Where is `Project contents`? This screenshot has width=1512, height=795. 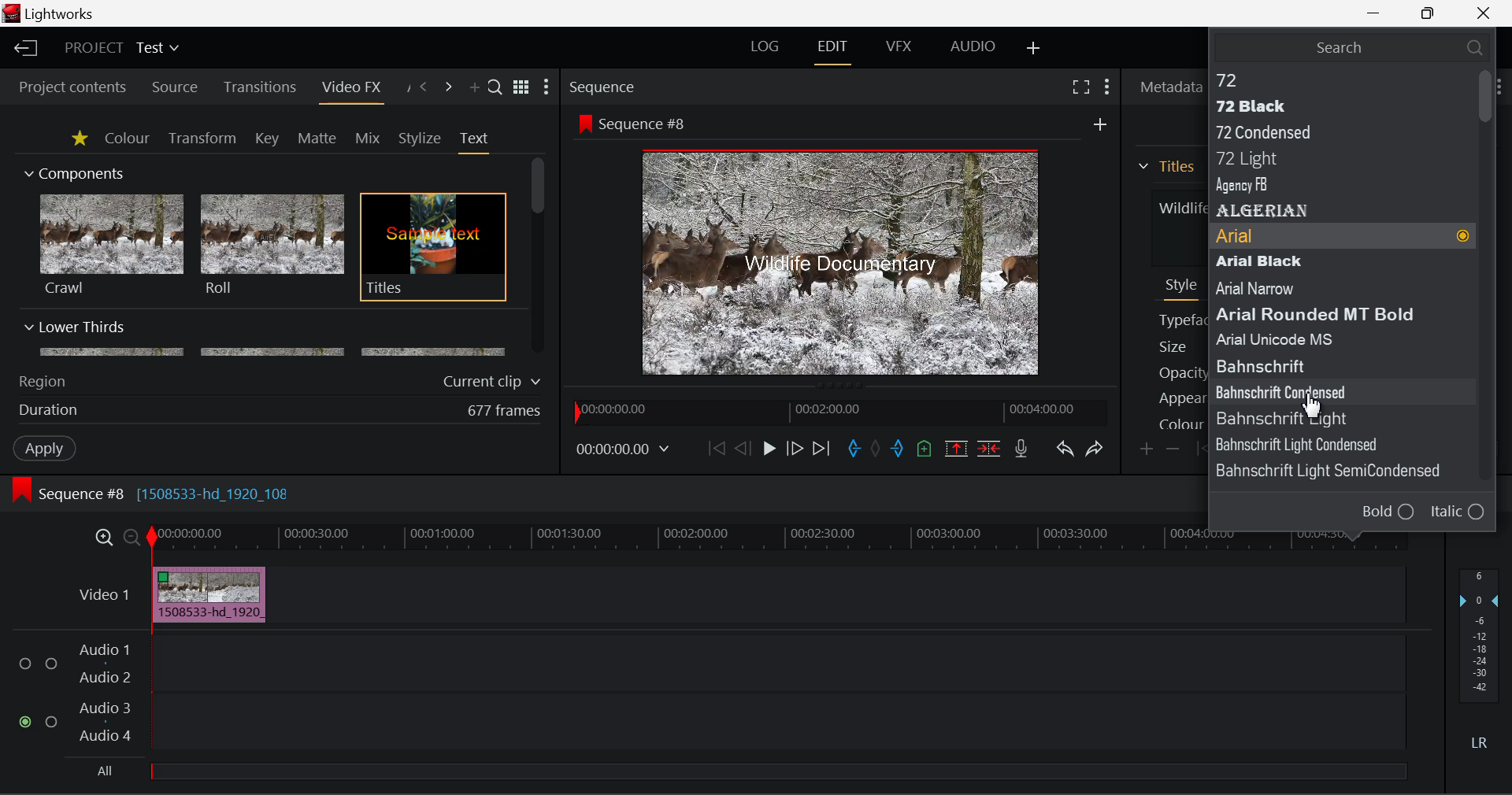
Project contents is located at coordinates (65, 87).